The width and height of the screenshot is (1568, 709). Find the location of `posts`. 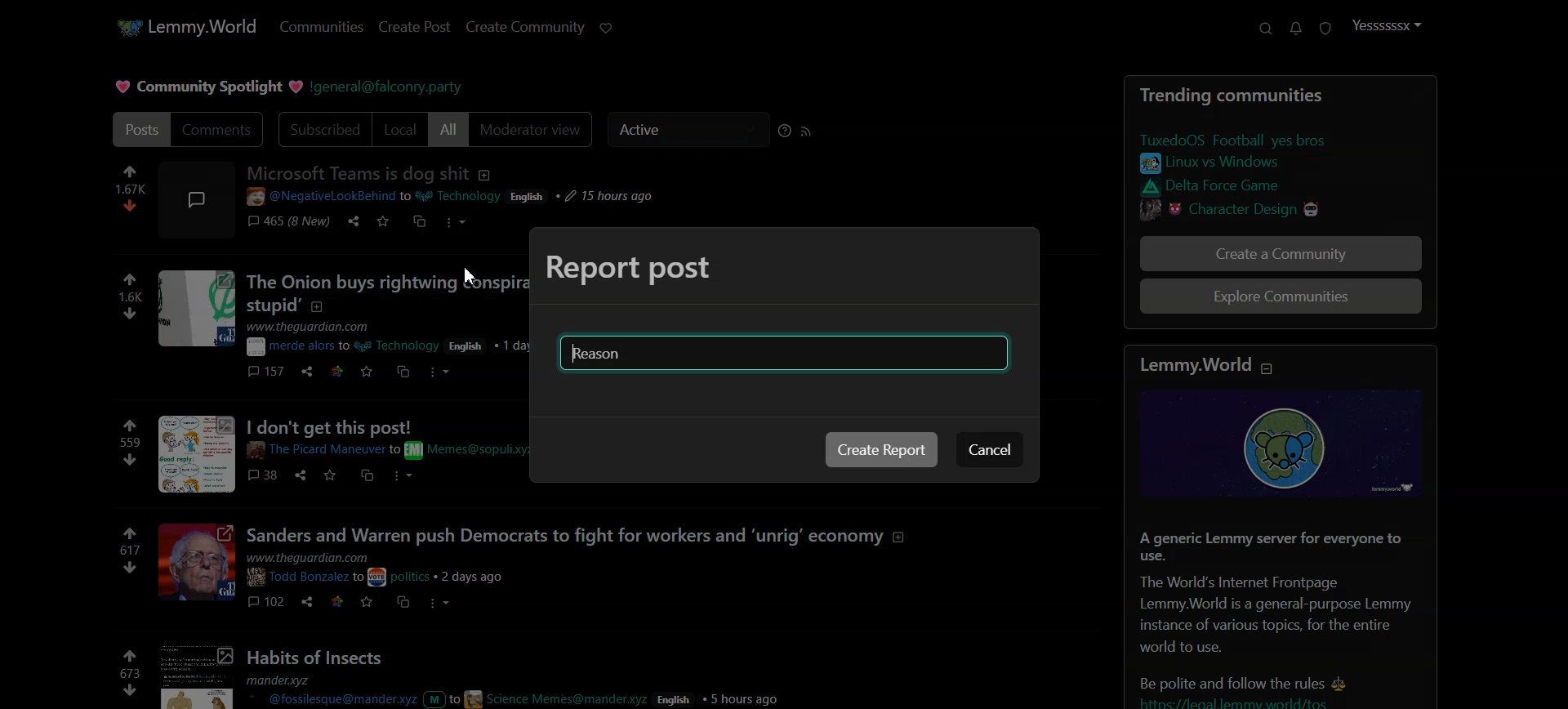

posts is located at coordinates (665, 555).